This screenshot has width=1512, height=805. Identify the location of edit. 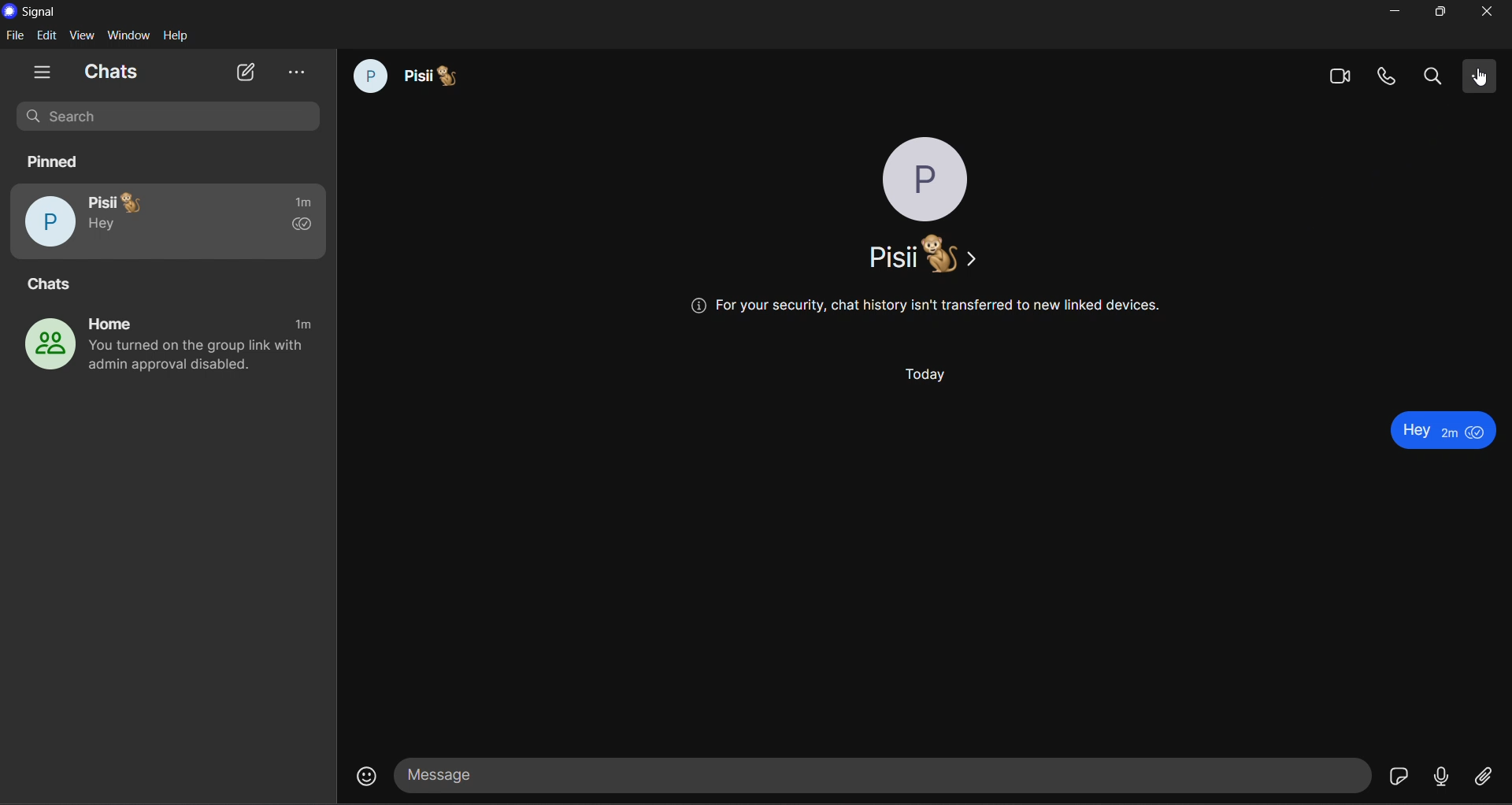
(48, 35).